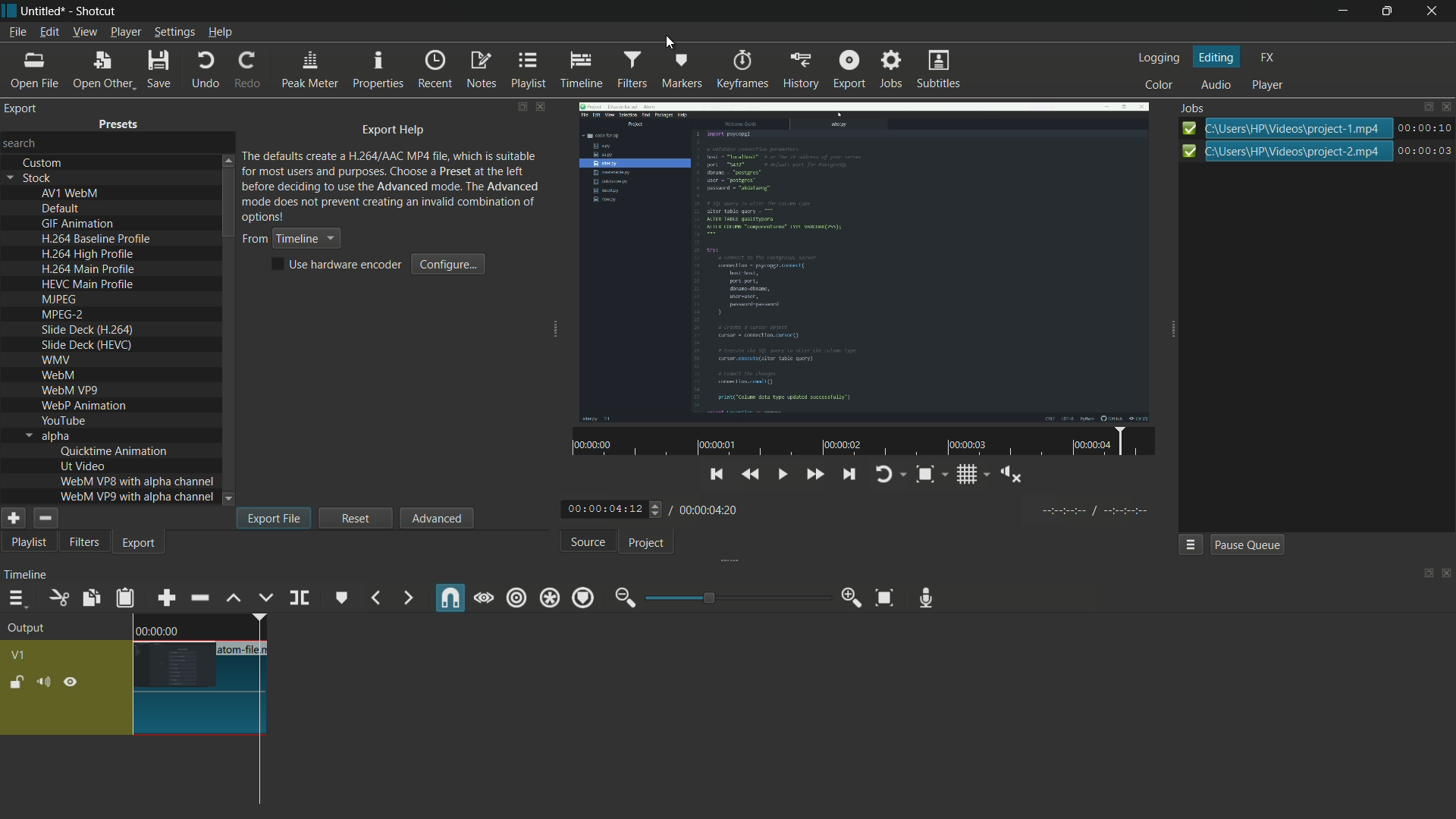 The width and height of the screenshot is (1456, 819). What do you see at coordinates (541, 107) in the screenshot?
I see `close export` at bounding box center [541, 107].